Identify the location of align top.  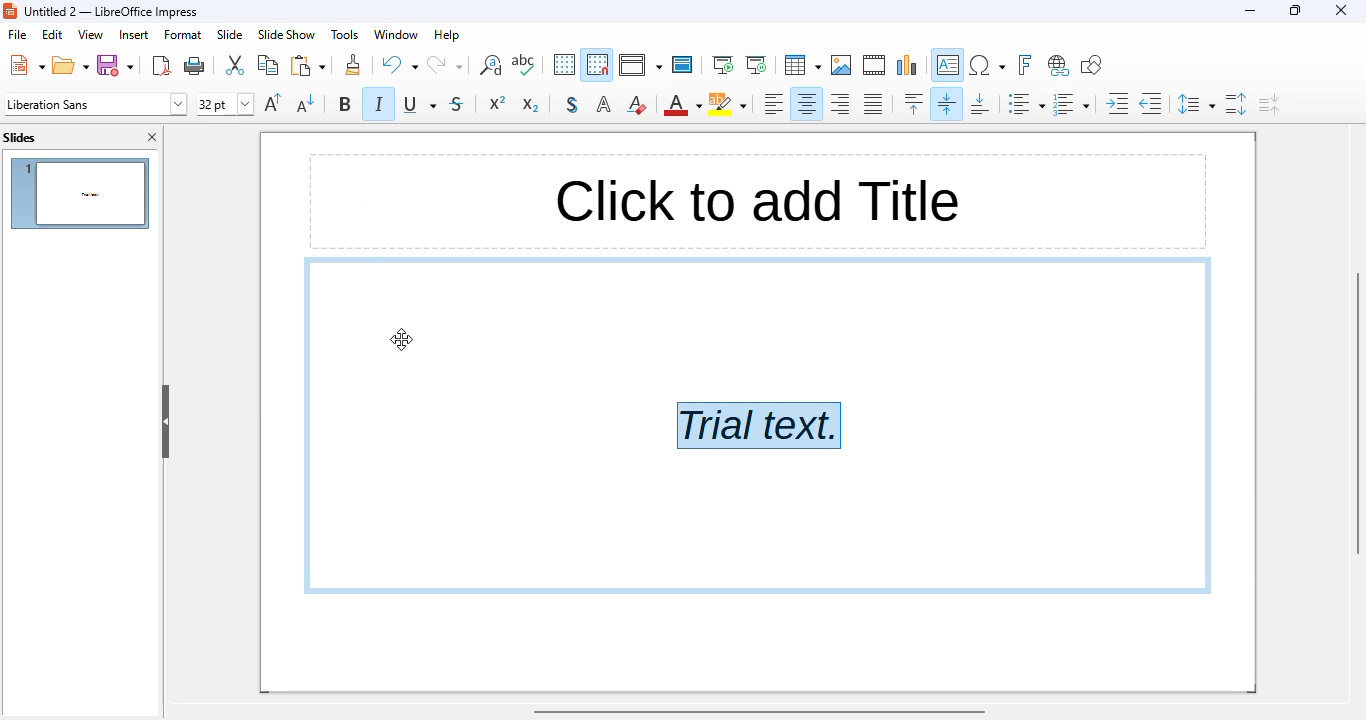
(914, 103).